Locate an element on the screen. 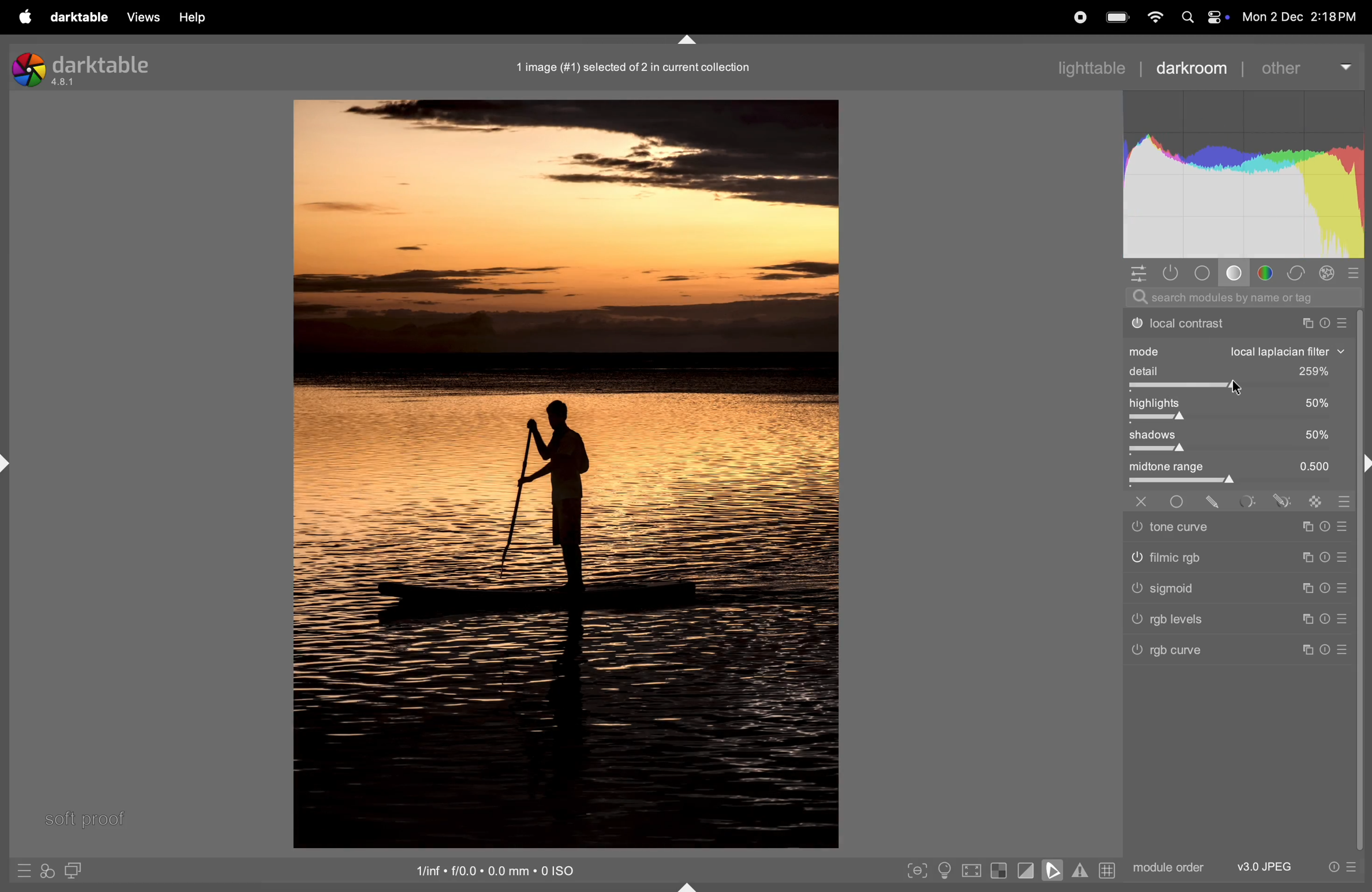 This screenshot has width=1372, height=892. cursor is located at coordinates (1239, 387).